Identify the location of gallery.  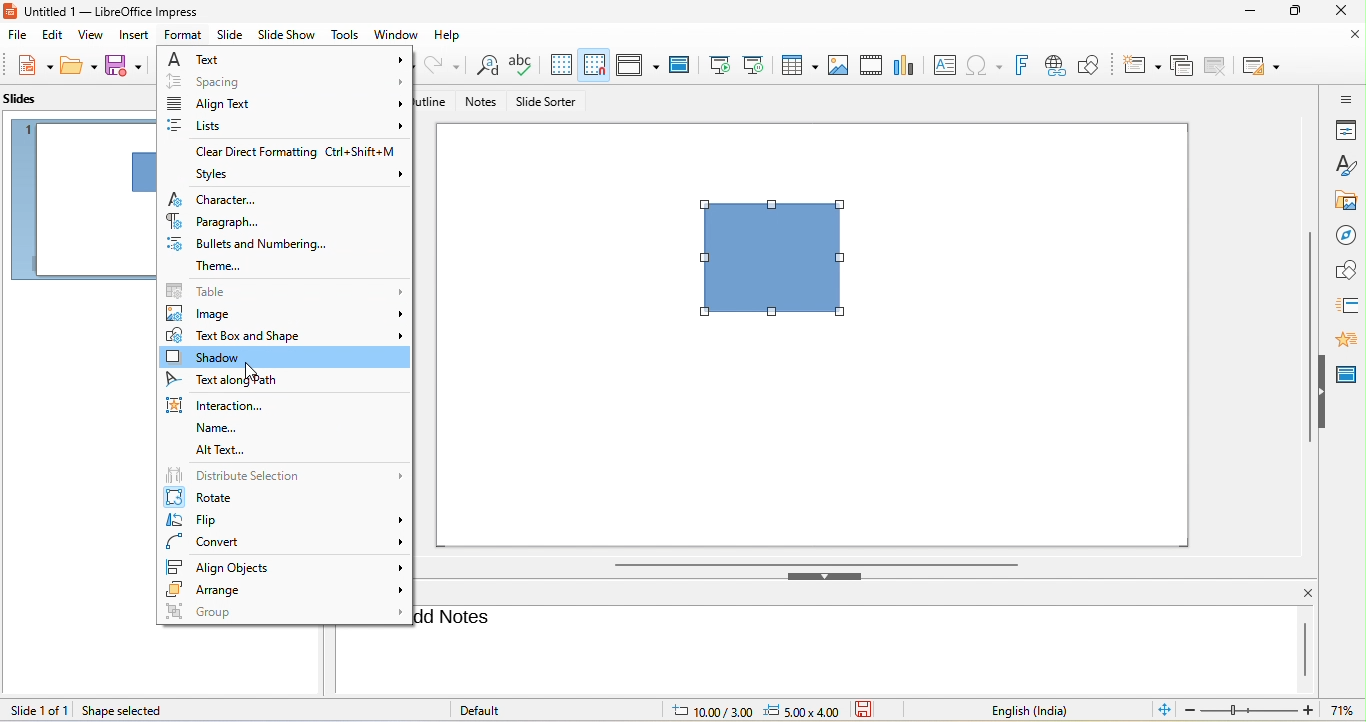
(1342, 198).